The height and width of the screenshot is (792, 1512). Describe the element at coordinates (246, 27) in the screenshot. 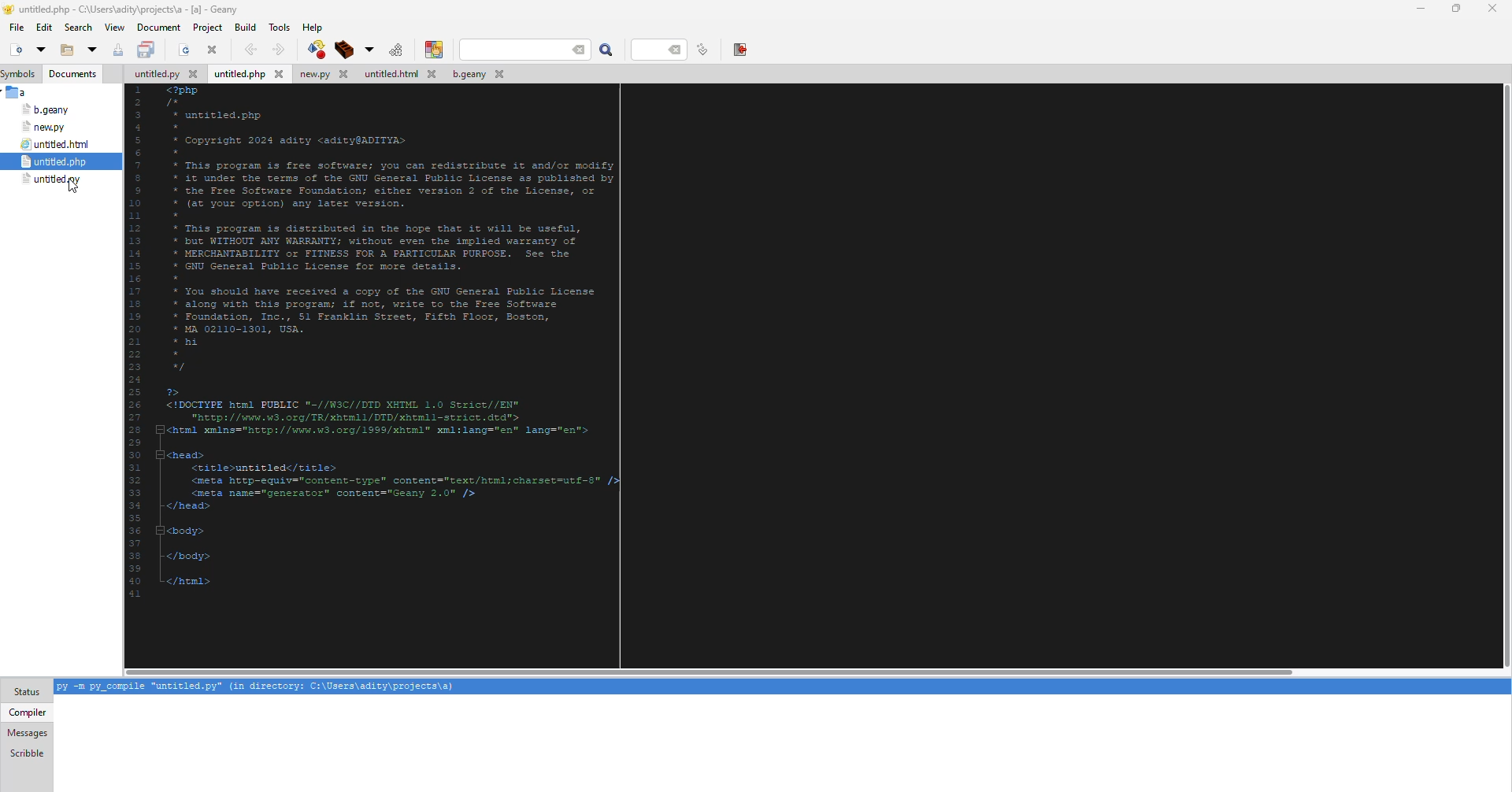

I see `build` at that location.